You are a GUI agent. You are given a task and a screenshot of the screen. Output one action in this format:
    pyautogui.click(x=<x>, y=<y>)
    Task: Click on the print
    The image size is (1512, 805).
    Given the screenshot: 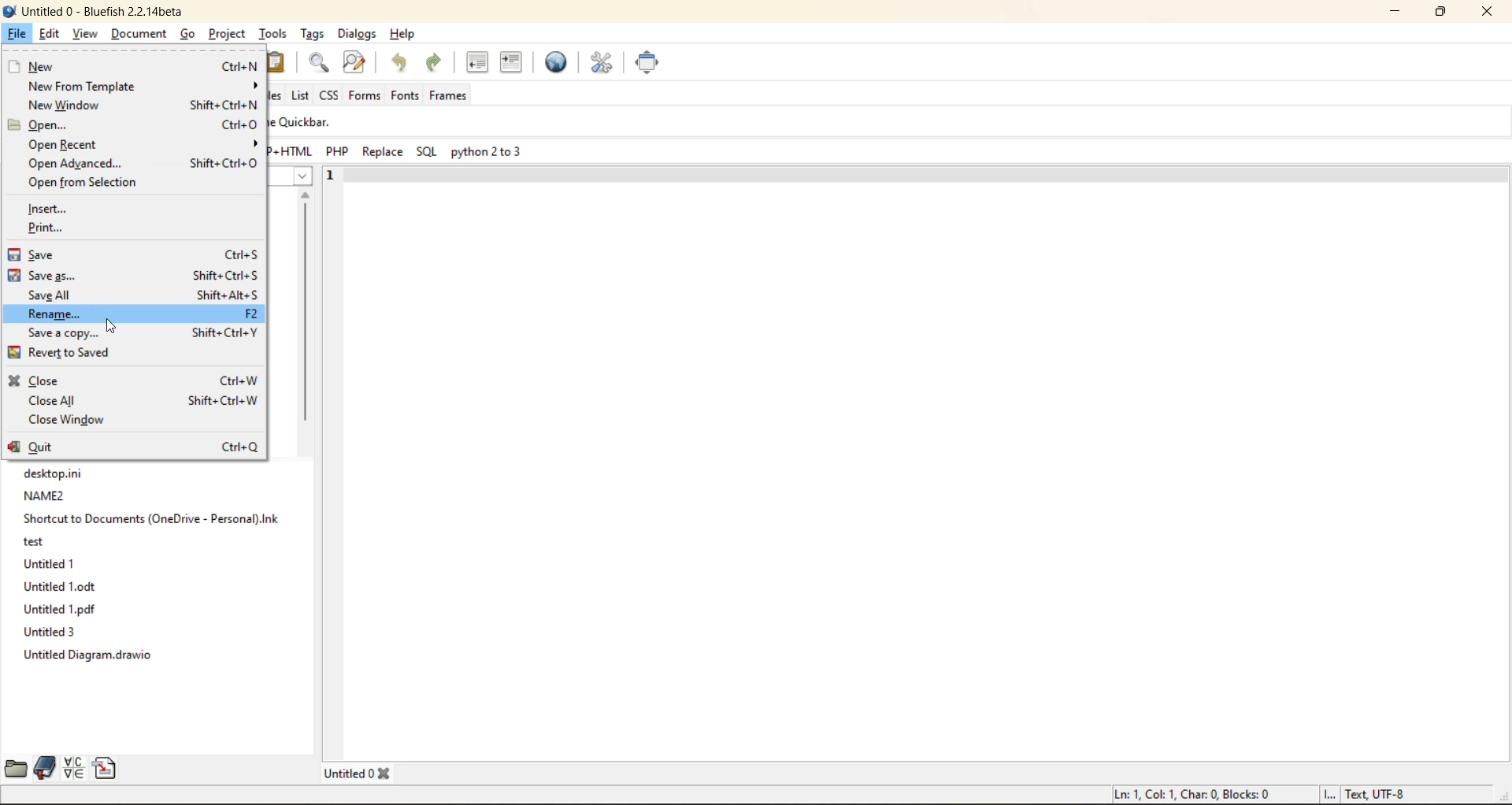 What is the action you would take?
    pyautogui.click(x=46, y=226)
    